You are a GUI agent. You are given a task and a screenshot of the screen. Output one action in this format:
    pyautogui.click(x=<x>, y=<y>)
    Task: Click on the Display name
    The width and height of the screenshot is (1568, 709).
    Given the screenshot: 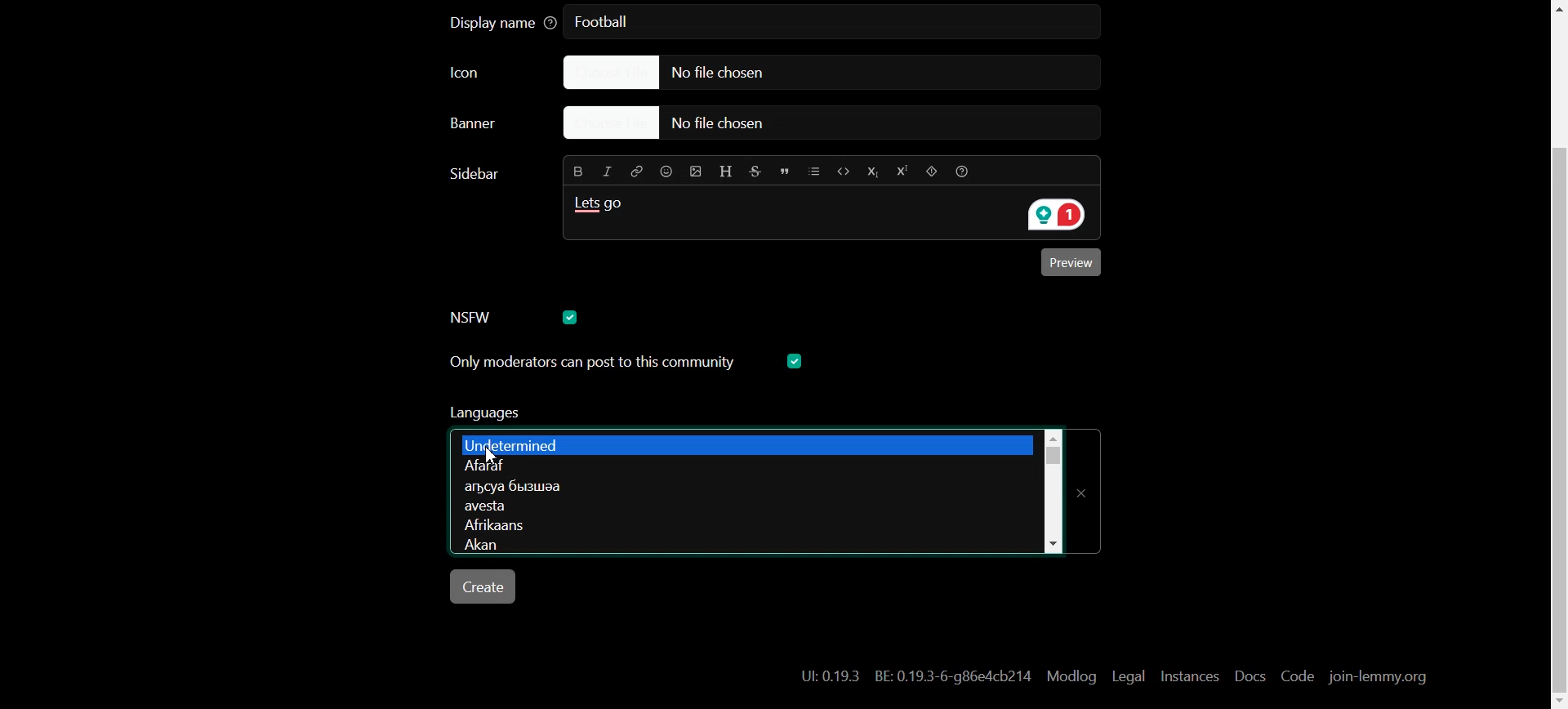 What is the action you would take?
    pyautogui.click(x=503, y=24)
    